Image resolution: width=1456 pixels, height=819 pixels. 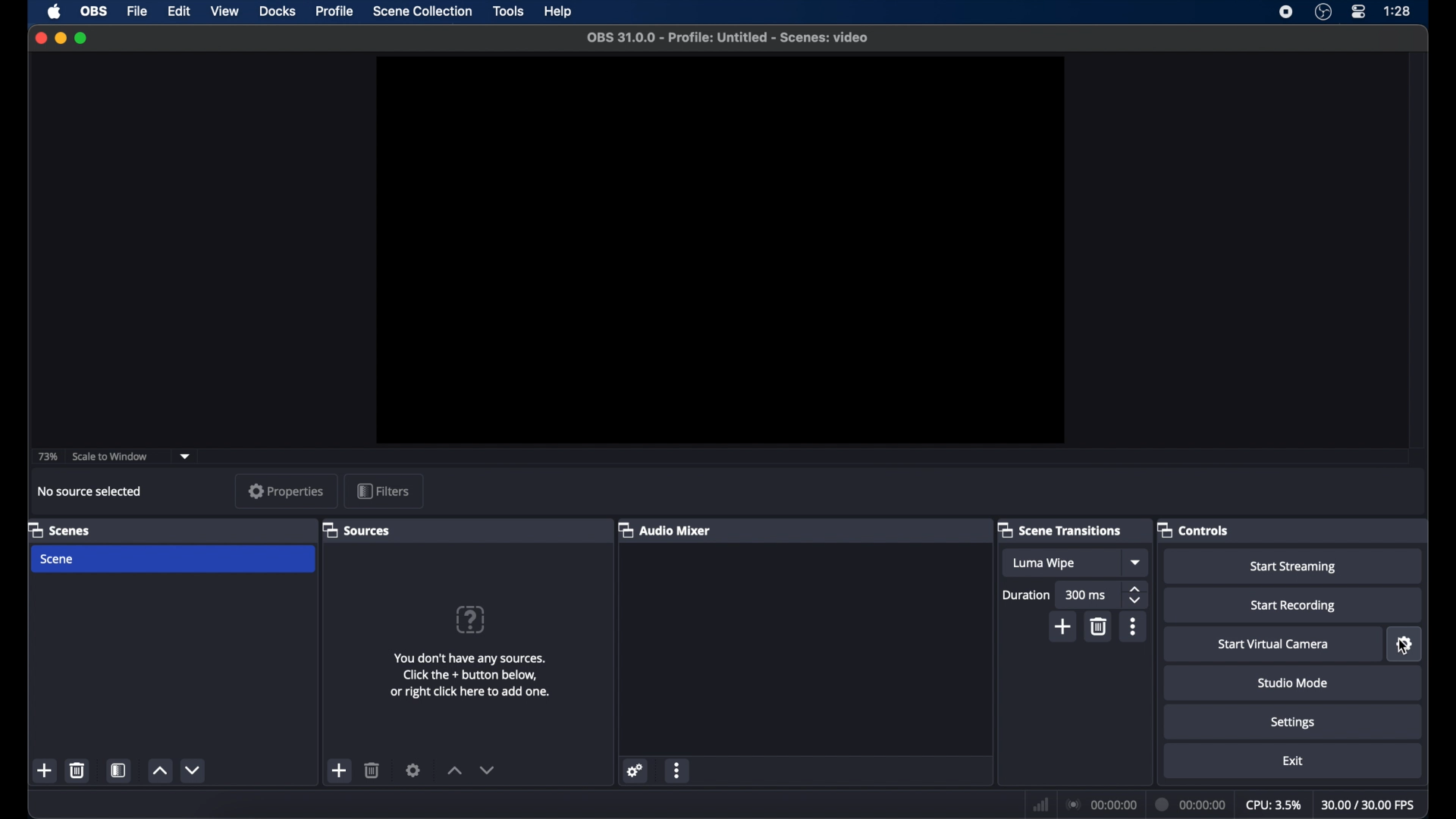 What do you see at coordinates (1191, 805) in the screenshot?
I see `duration` at bounding box center [1191, 805].